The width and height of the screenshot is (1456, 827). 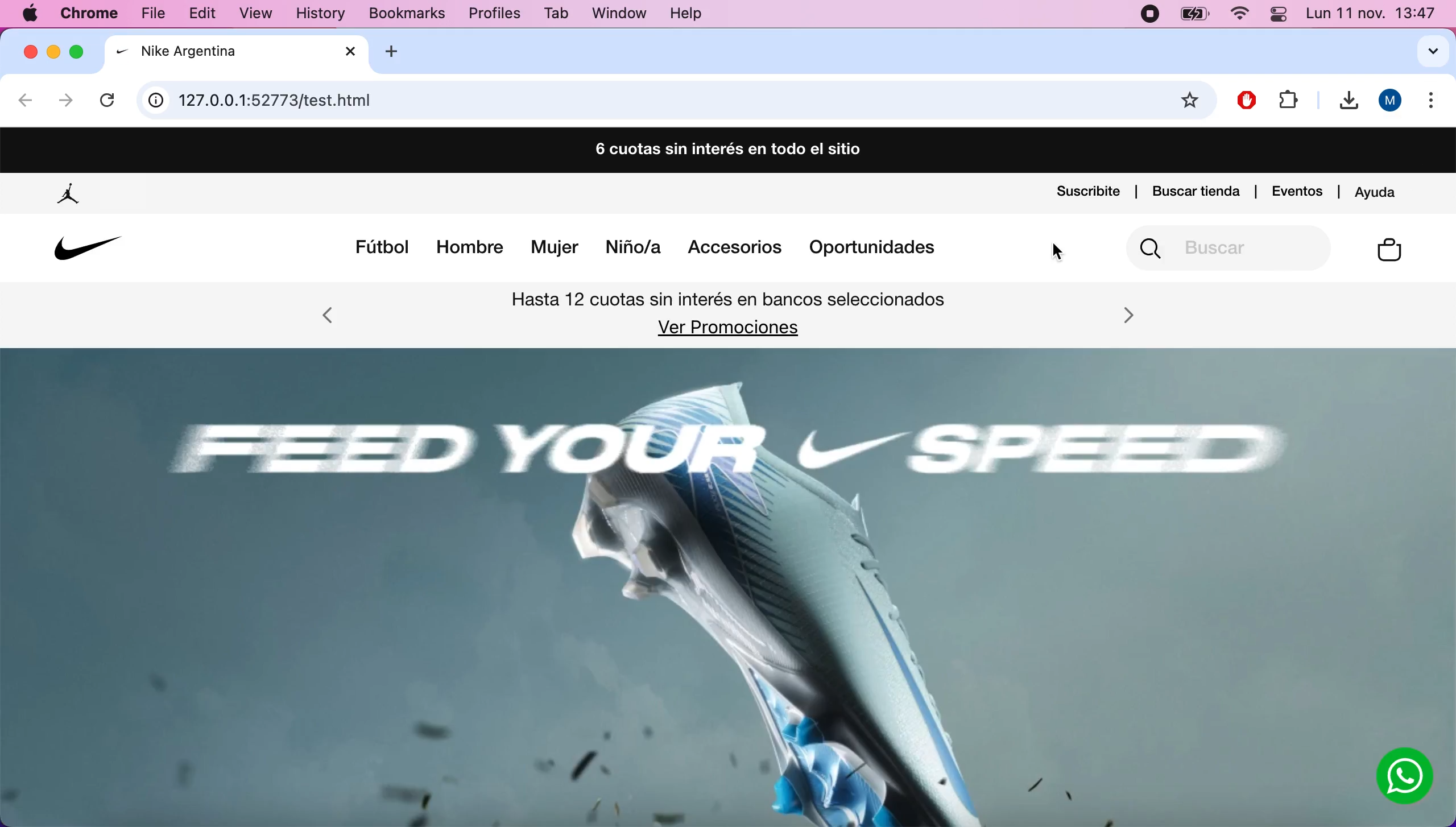 What do you see at coordinates (1248, 97) in the screenshot?
I see `stop ad blocker` at bounding box center [1248, 97].